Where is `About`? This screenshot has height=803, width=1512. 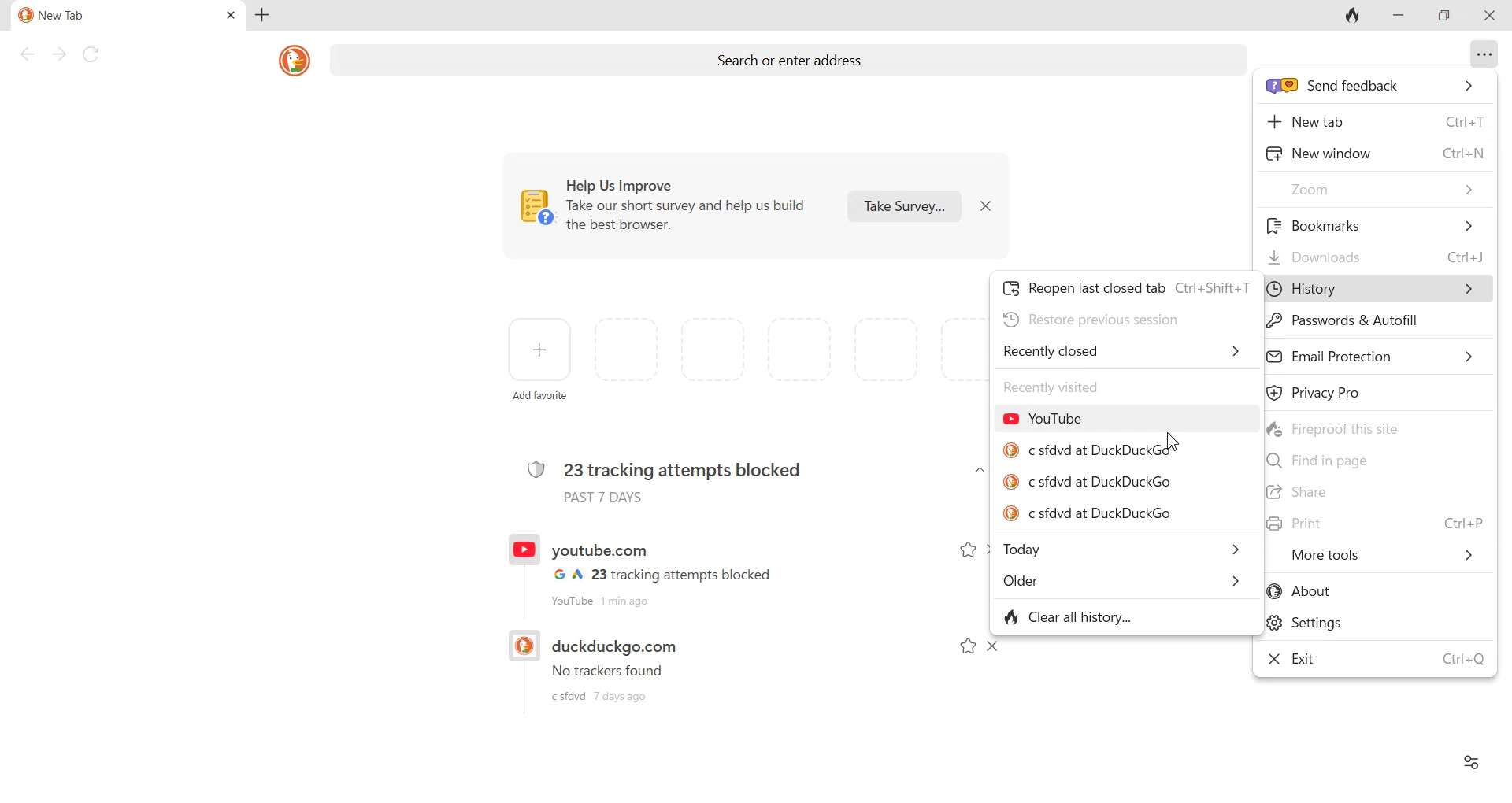
About is located at coordinates (1376, 590).